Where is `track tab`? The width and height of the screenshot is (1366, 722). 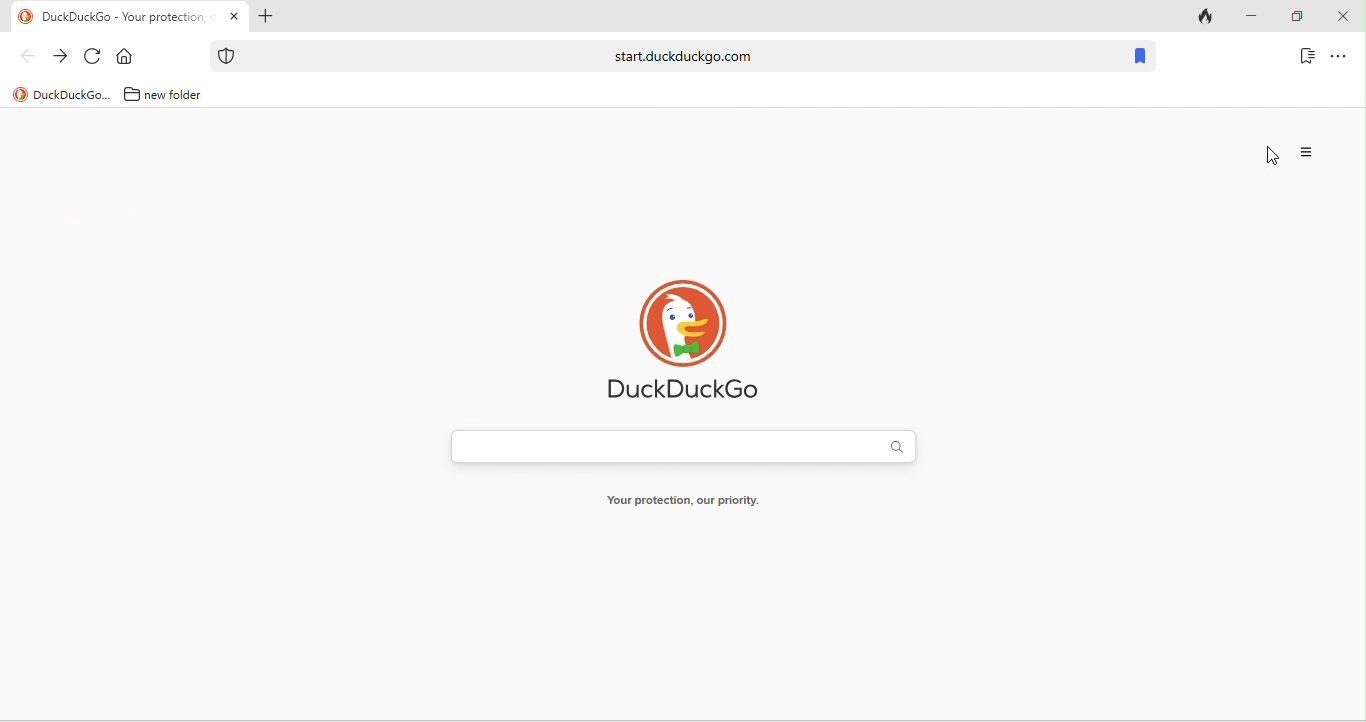 track tab is located at coordinates (1199, 18).